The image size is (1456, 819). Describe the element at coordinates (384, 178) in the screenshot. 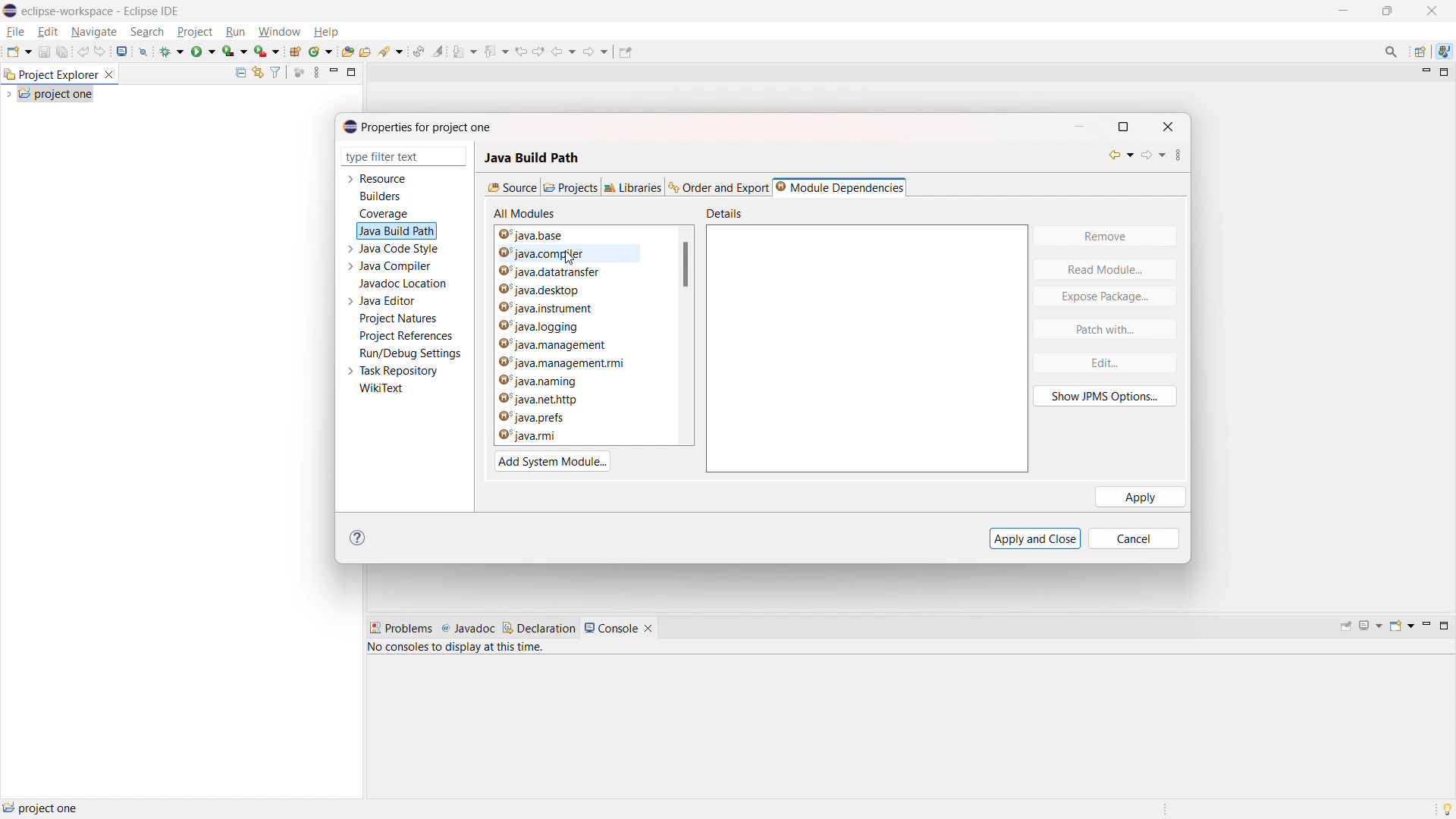

I see `resource` at that location.